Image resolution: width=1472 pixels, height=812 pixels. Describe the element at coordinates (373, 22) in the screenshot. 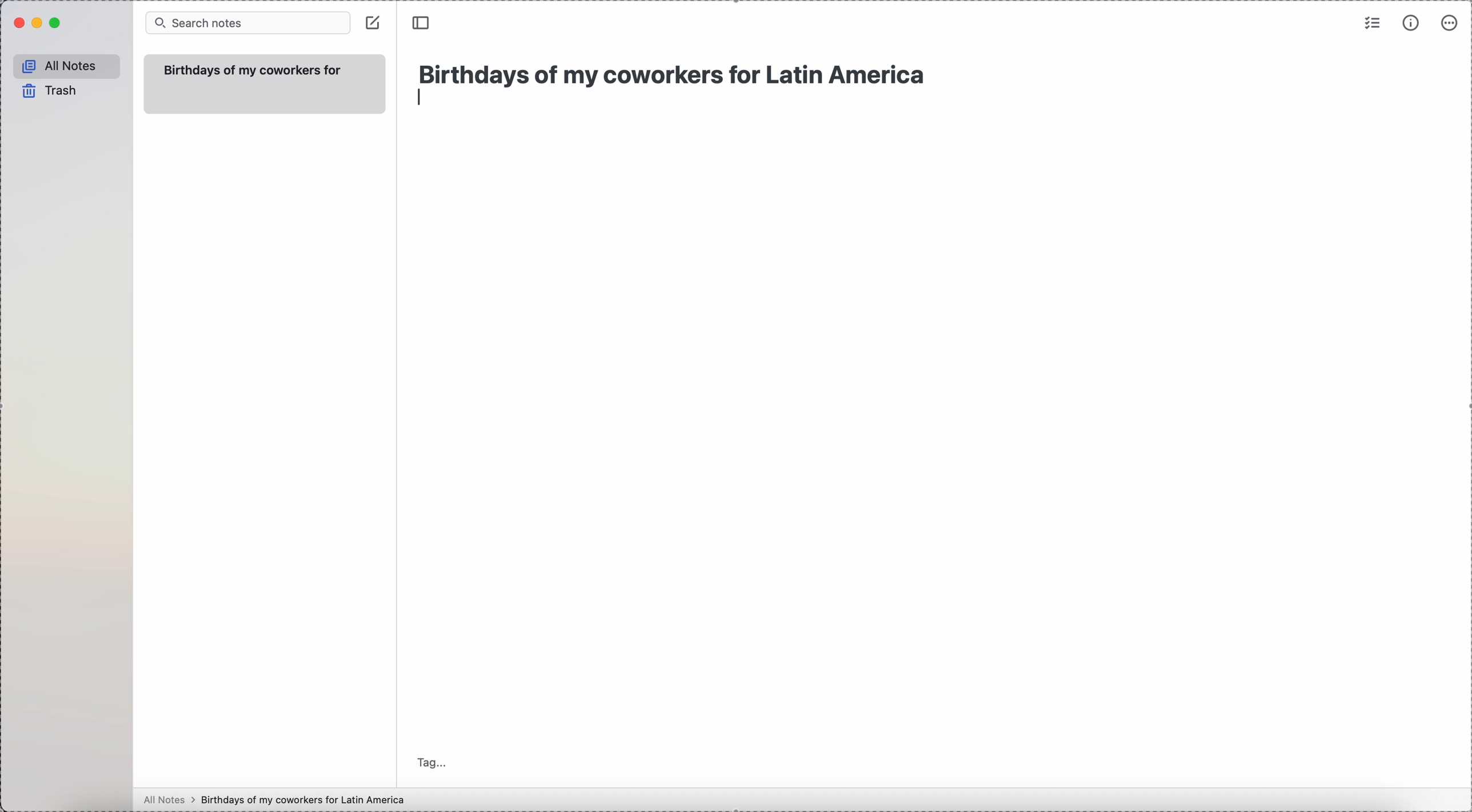

I see `create note` at that location.